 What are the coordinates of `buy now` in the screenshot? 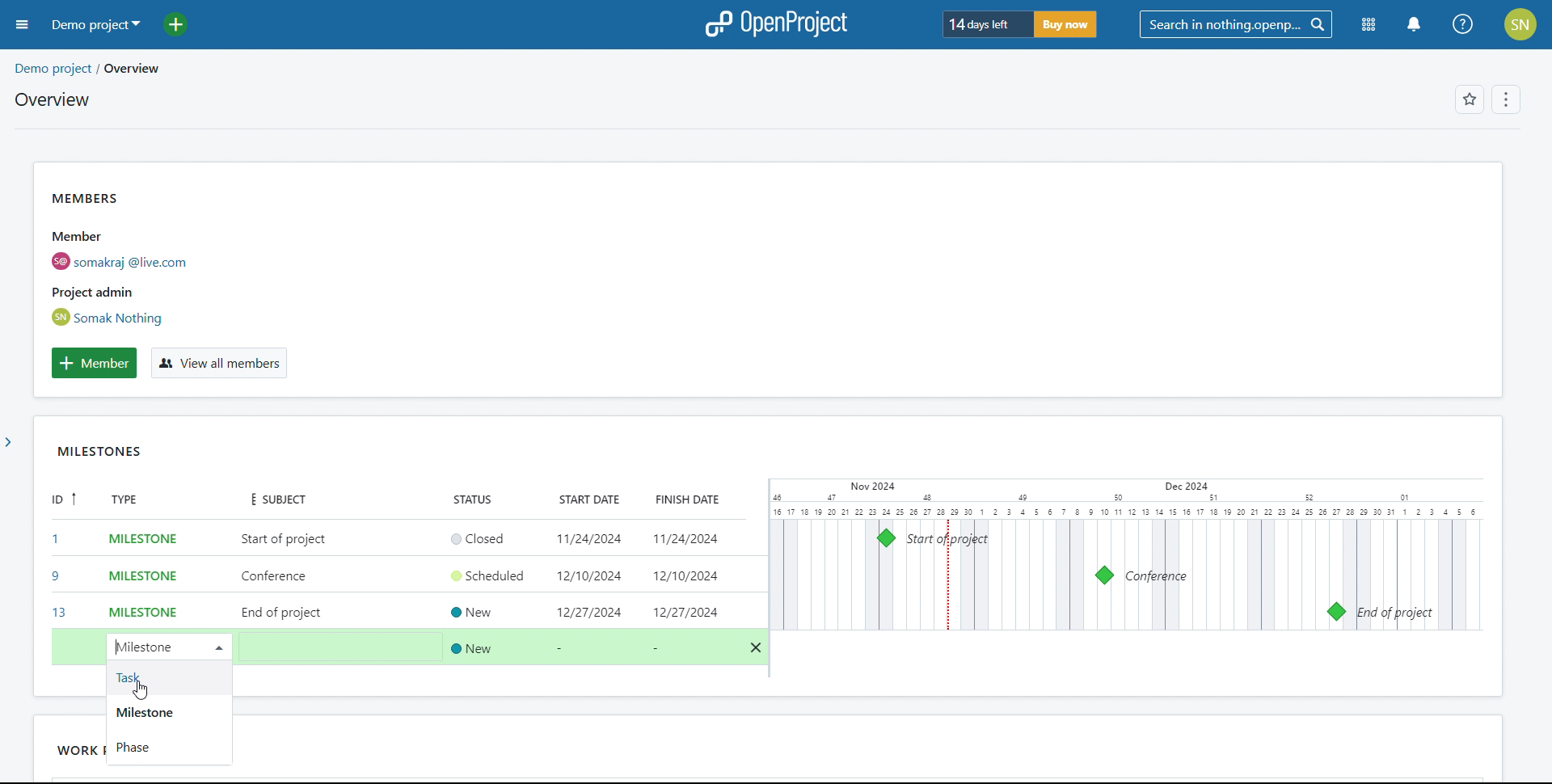 It's located at (1064, 24).